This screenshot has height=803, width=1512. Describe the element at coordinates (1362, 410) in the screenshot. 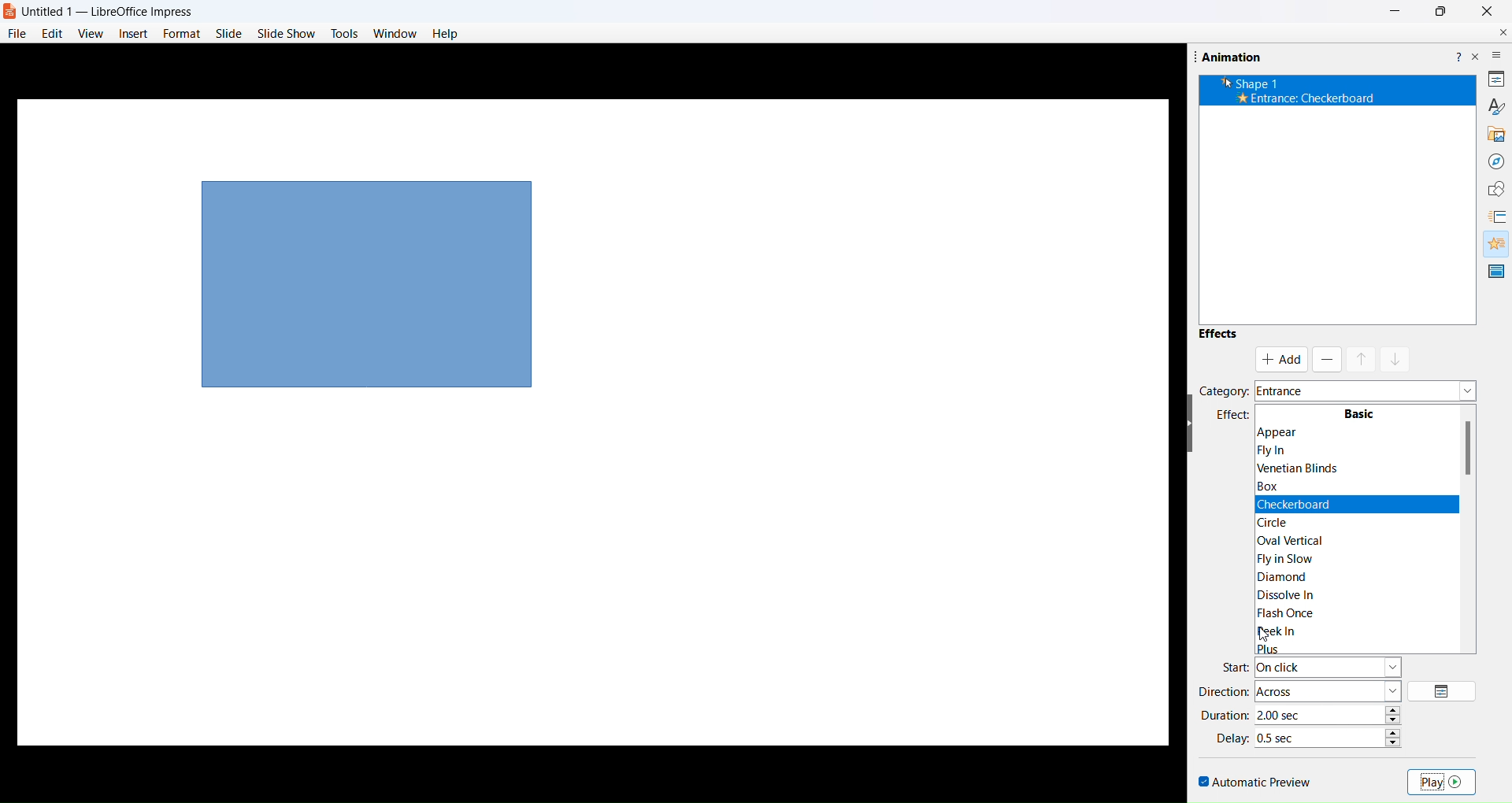

I see `basic` at that location.